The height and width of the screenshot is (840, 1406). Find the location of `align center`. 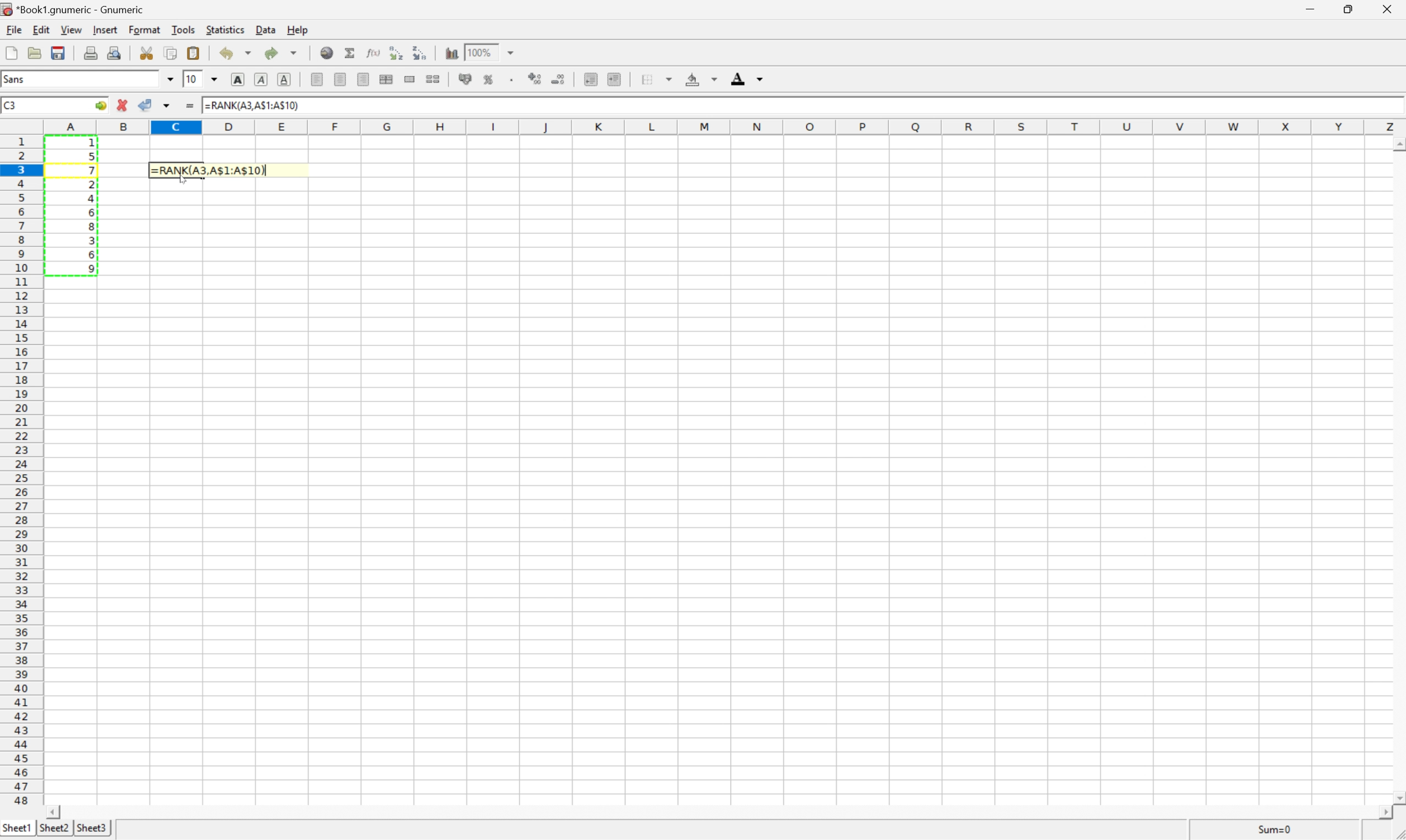

align center is located at coordinates (342, 79).